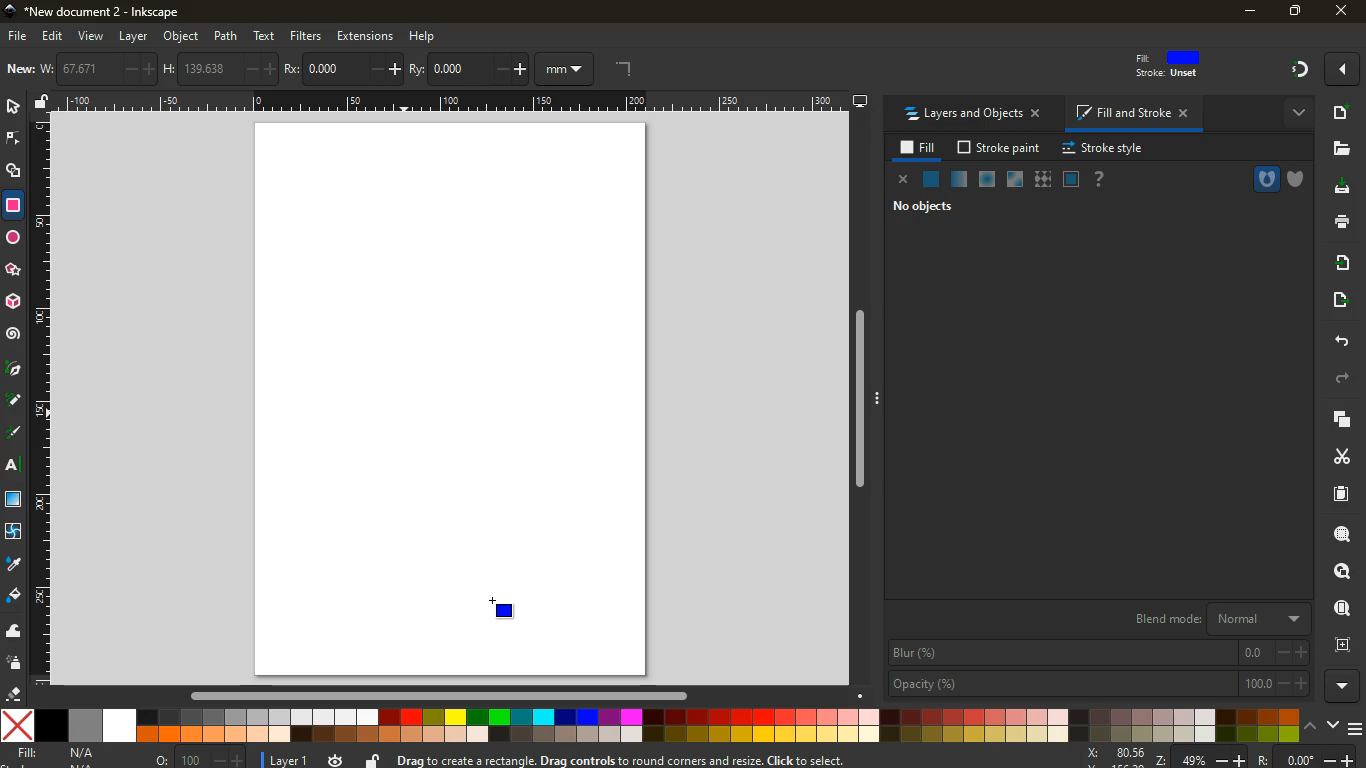 Image resolution: width=1366 pixels, height=768 pixels. Describe the element at coordinates (365, 37) in the screenshot. I see `extensions` at that location.